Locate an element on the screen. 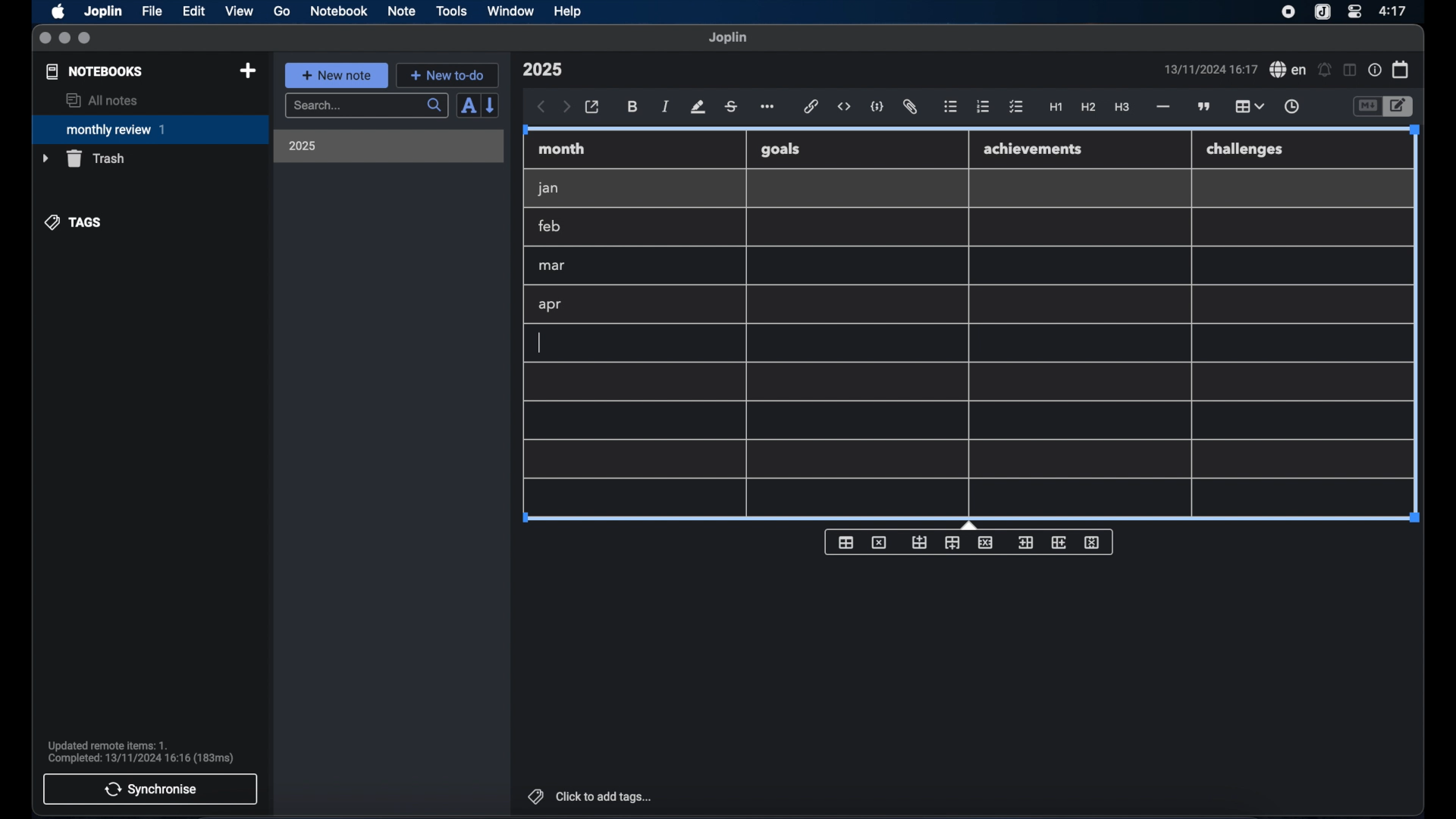 This screenshot has width=1456, height=819. block quotes is located at coordinates (1205, 107).